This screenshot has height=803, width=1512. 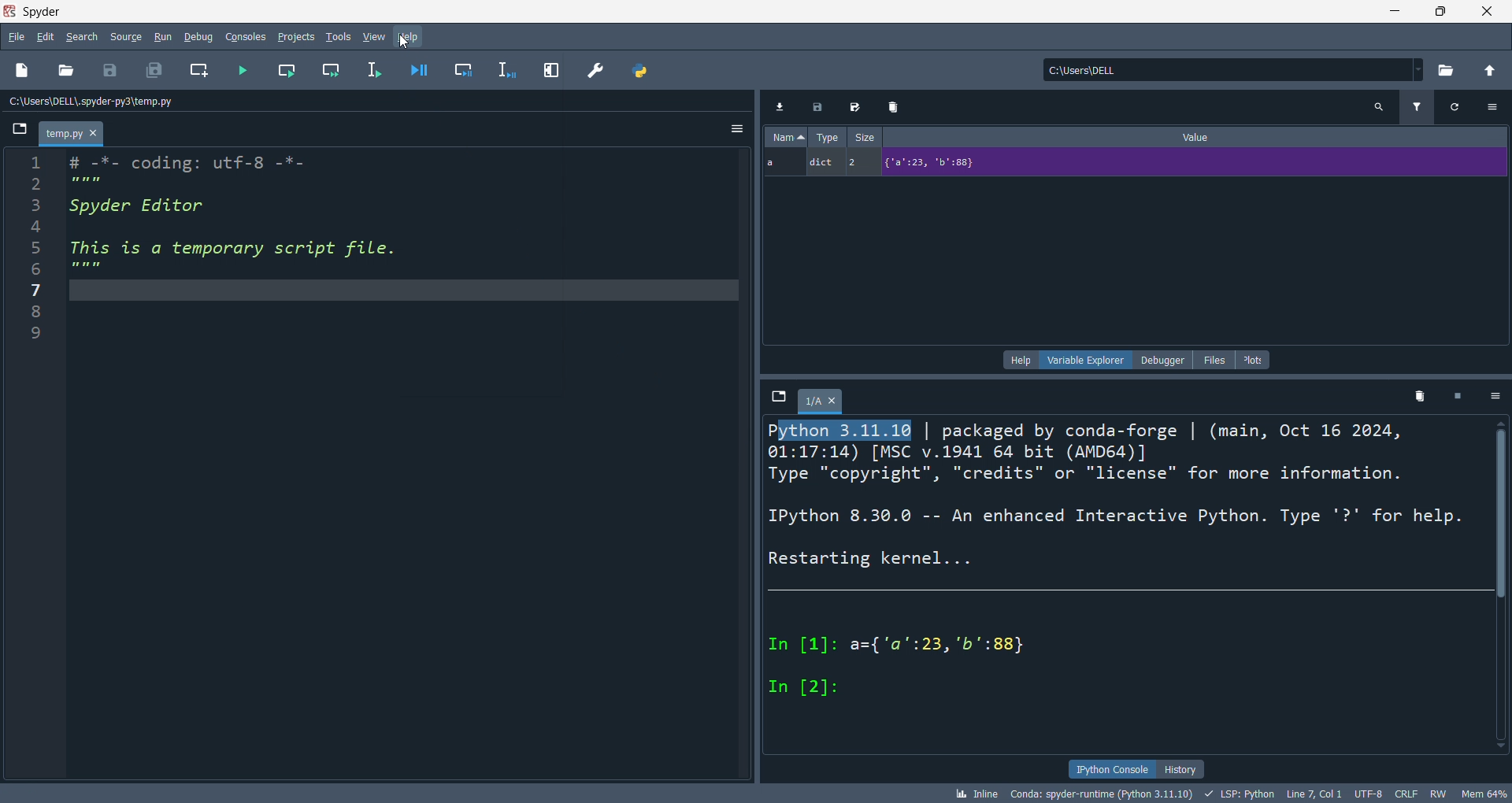 I want to click on Edit Export, so click(x=855, y=108).